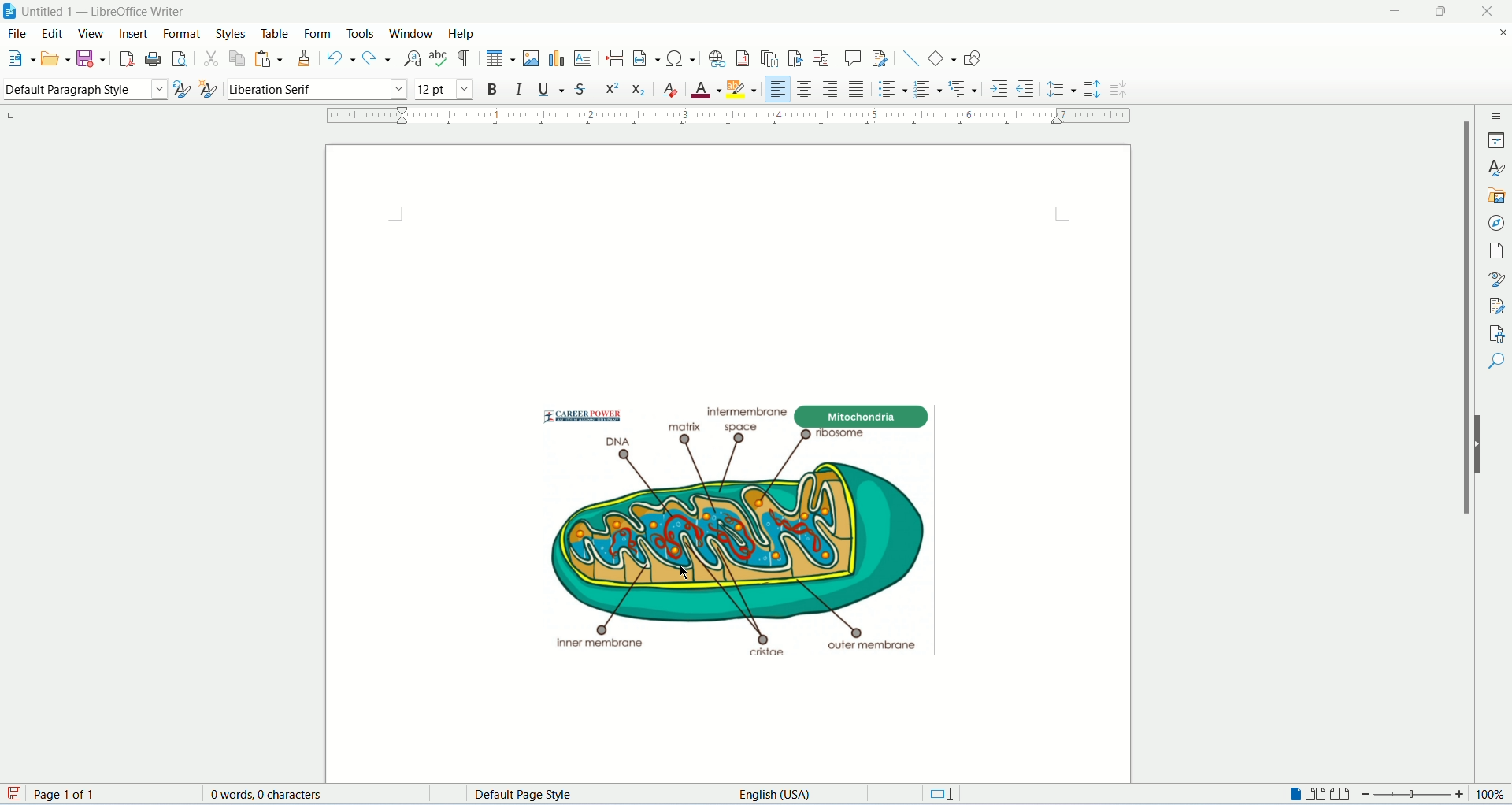  I want to click on page 1 of 1, so click(110, 794).